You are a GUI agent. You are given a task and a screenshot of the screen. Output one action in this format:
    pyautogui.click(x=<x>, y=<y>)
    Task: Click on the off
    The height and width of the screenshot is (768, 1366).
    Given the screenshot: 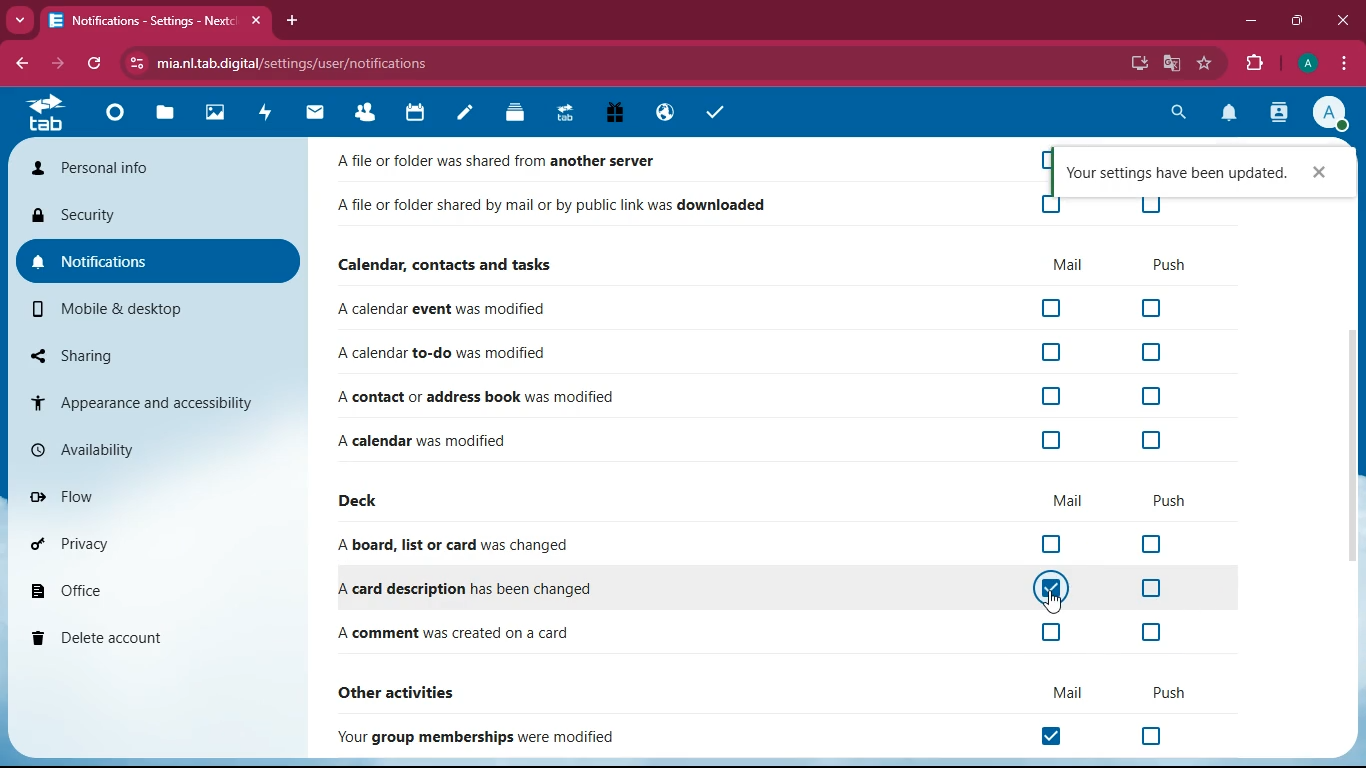 What is the action you would take?
    pyautogui.click(x=1152, y=309)
    